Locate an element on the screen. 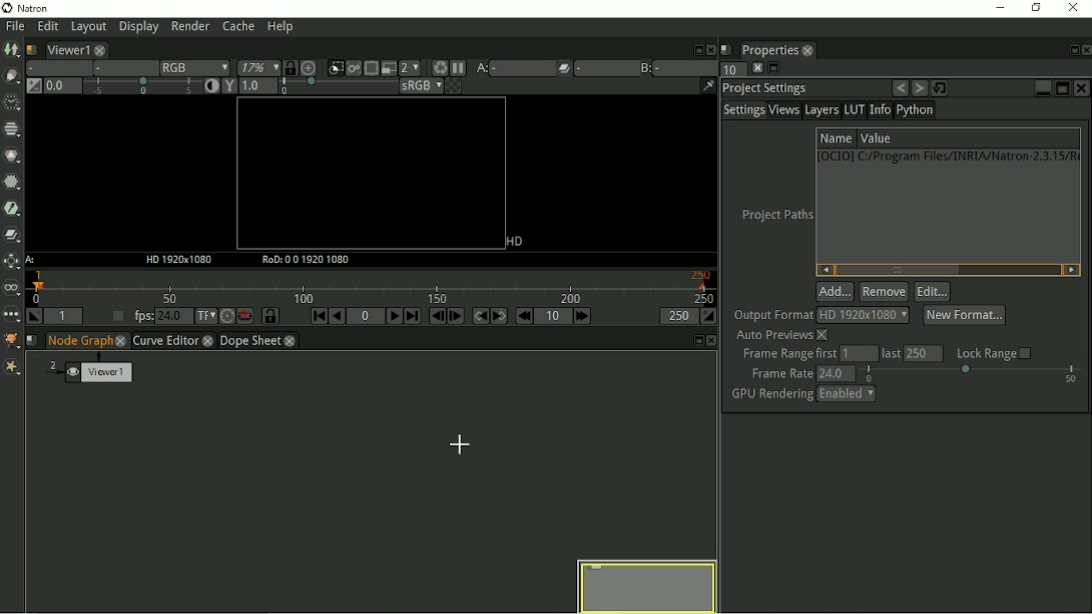 The width and height of the screenshot is (1092, 614). Output format is located at coordinates (819, 316).